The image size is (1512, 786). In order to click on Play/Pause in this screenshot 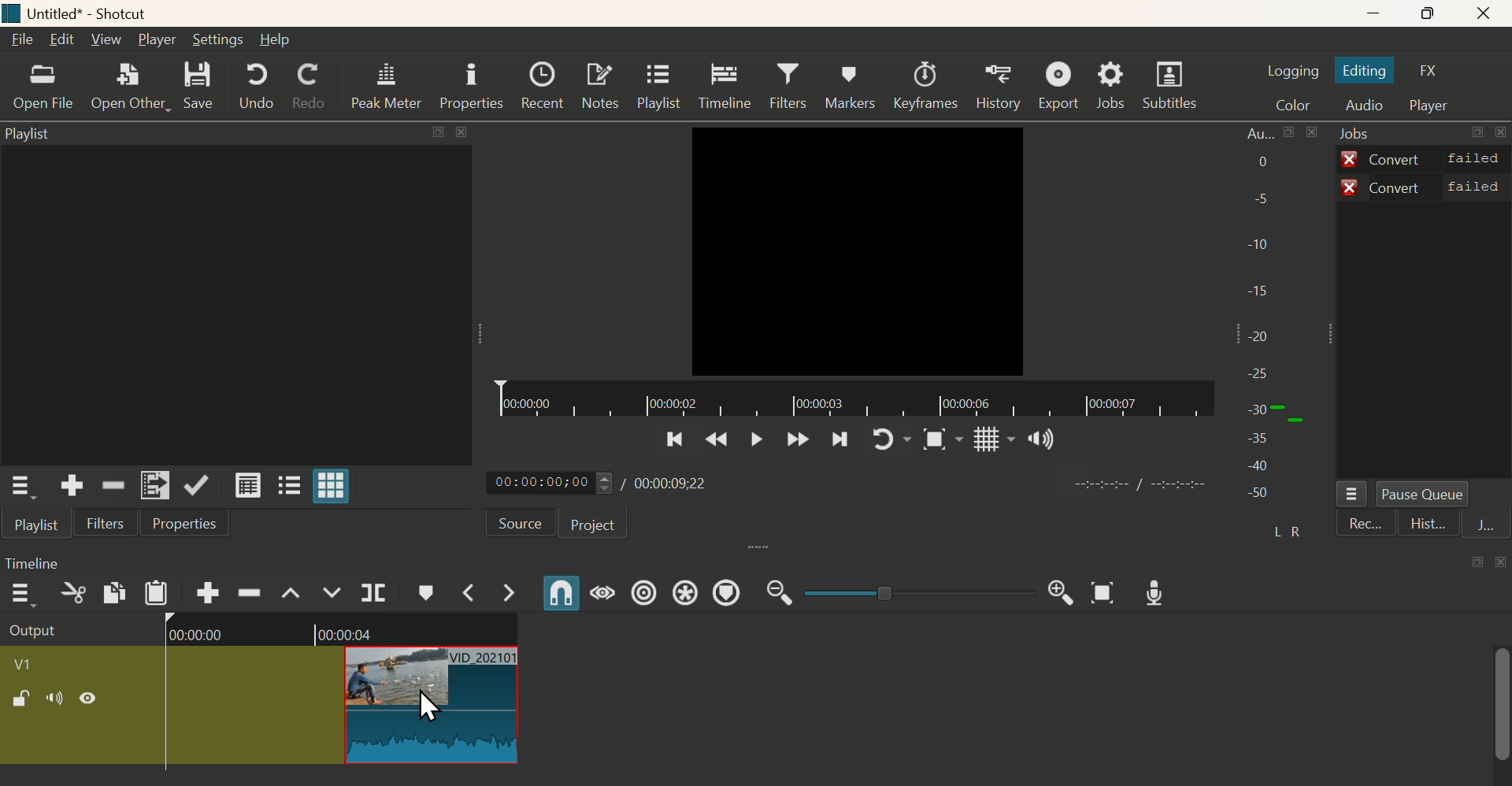, I will do `click(752, 444)`.